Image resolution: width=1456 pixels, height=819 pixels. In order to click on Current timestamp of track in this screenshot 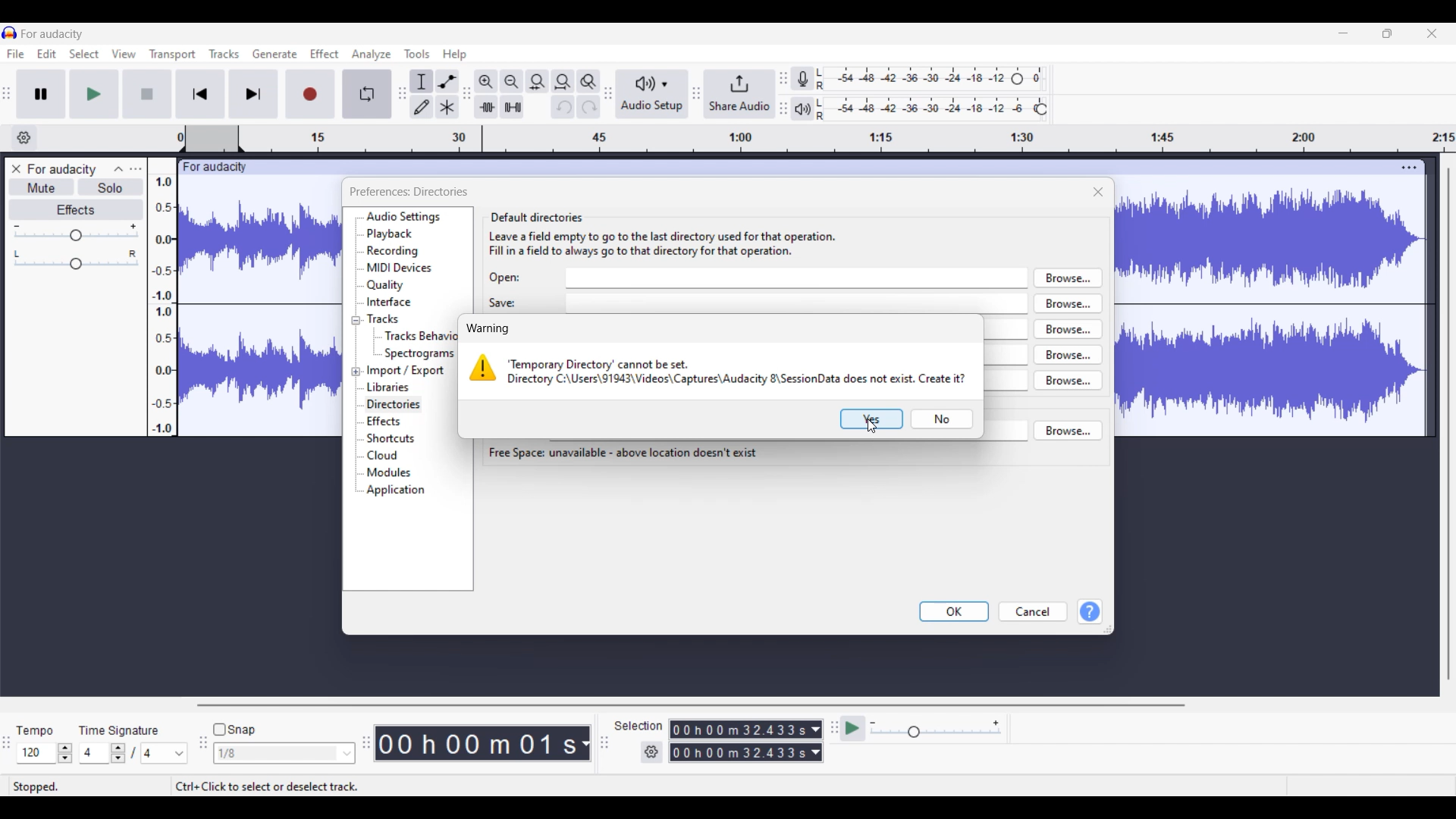, I will do `click(476, 743)`.